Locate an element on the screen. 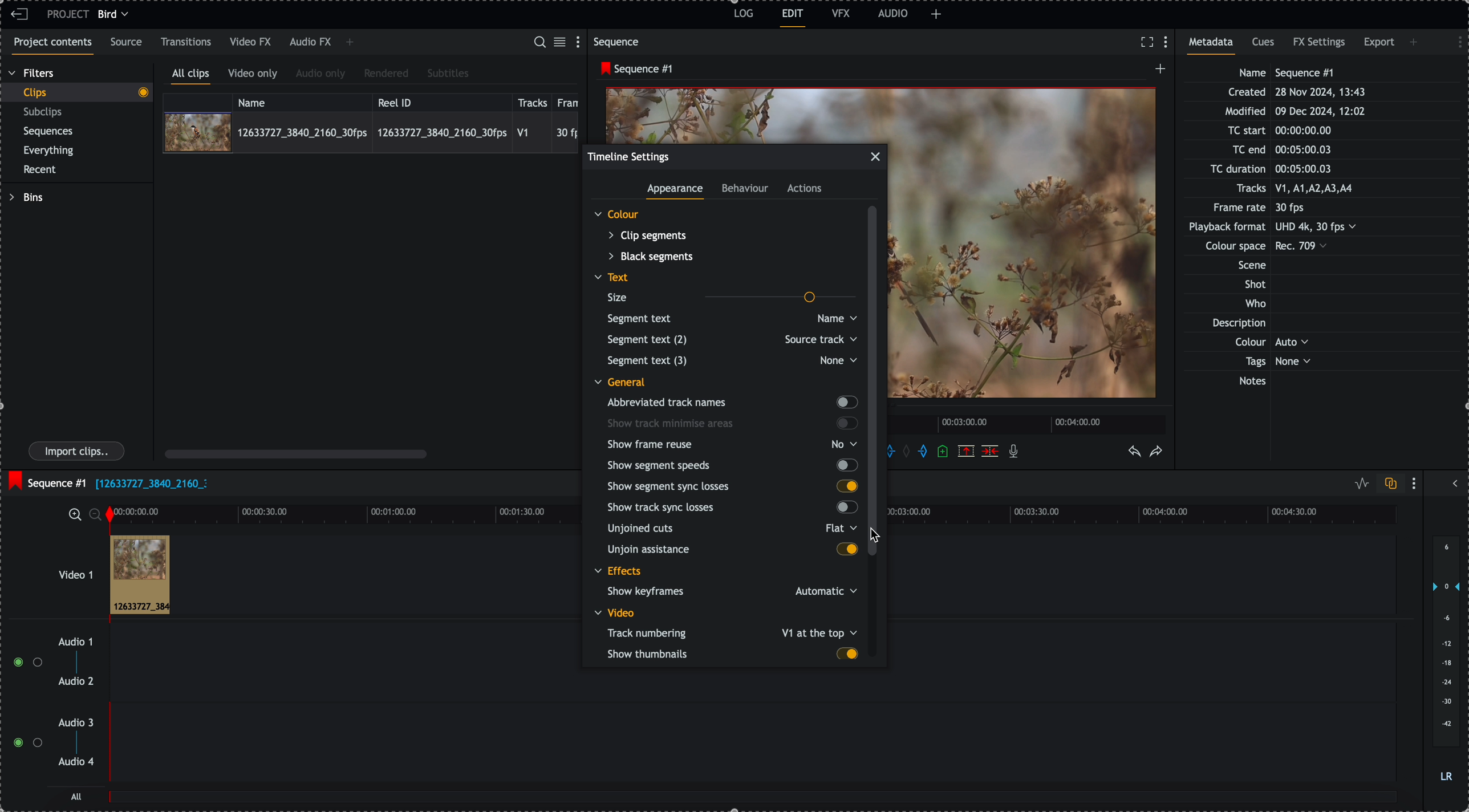 The width and height of the screenshot is (1469, 812). metadata is located at coordinates (1215, 46).